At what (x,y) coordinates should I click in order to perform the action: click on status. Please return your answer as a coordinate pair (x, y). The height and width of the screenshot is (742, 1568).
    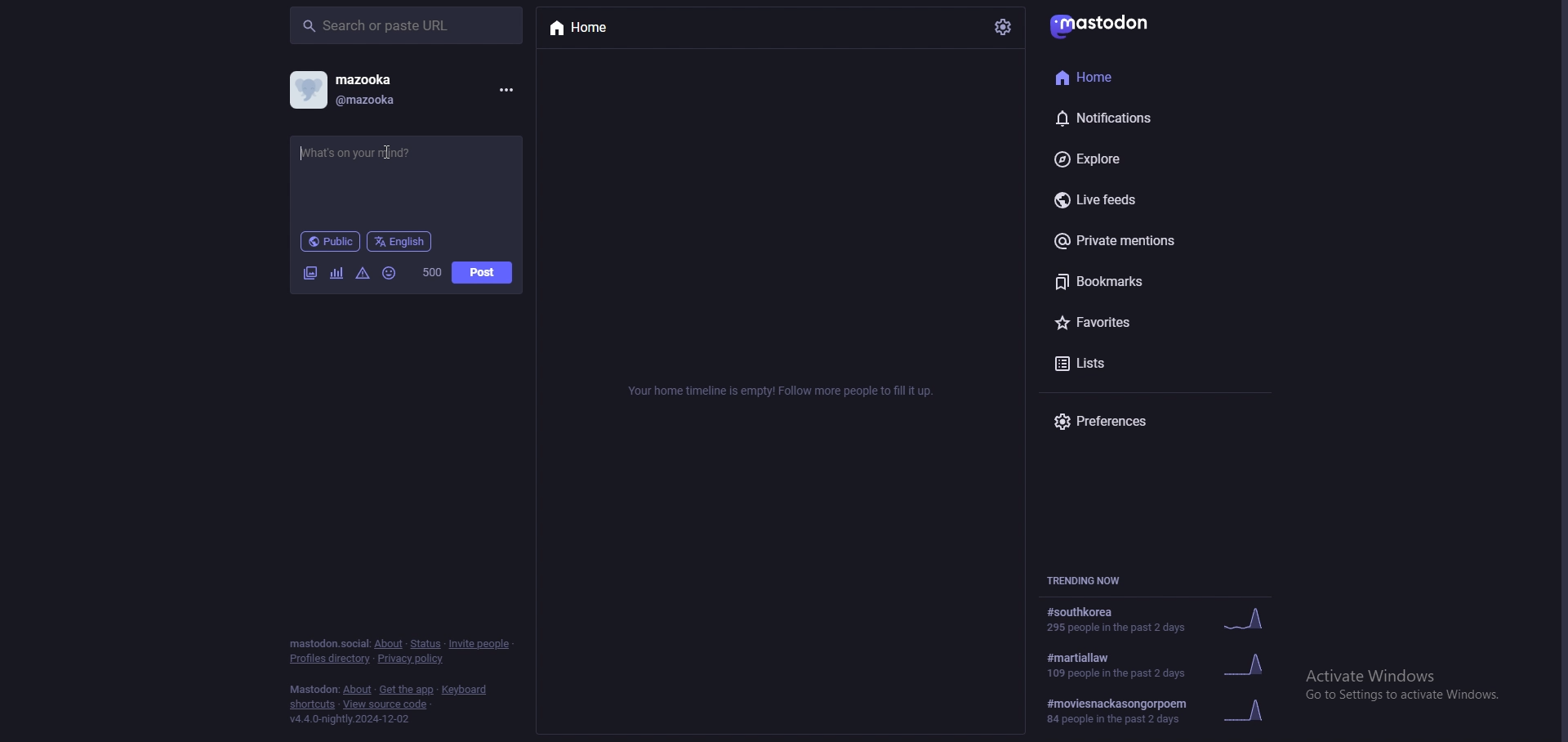
    Looking at the image, I should click on (425, 644).